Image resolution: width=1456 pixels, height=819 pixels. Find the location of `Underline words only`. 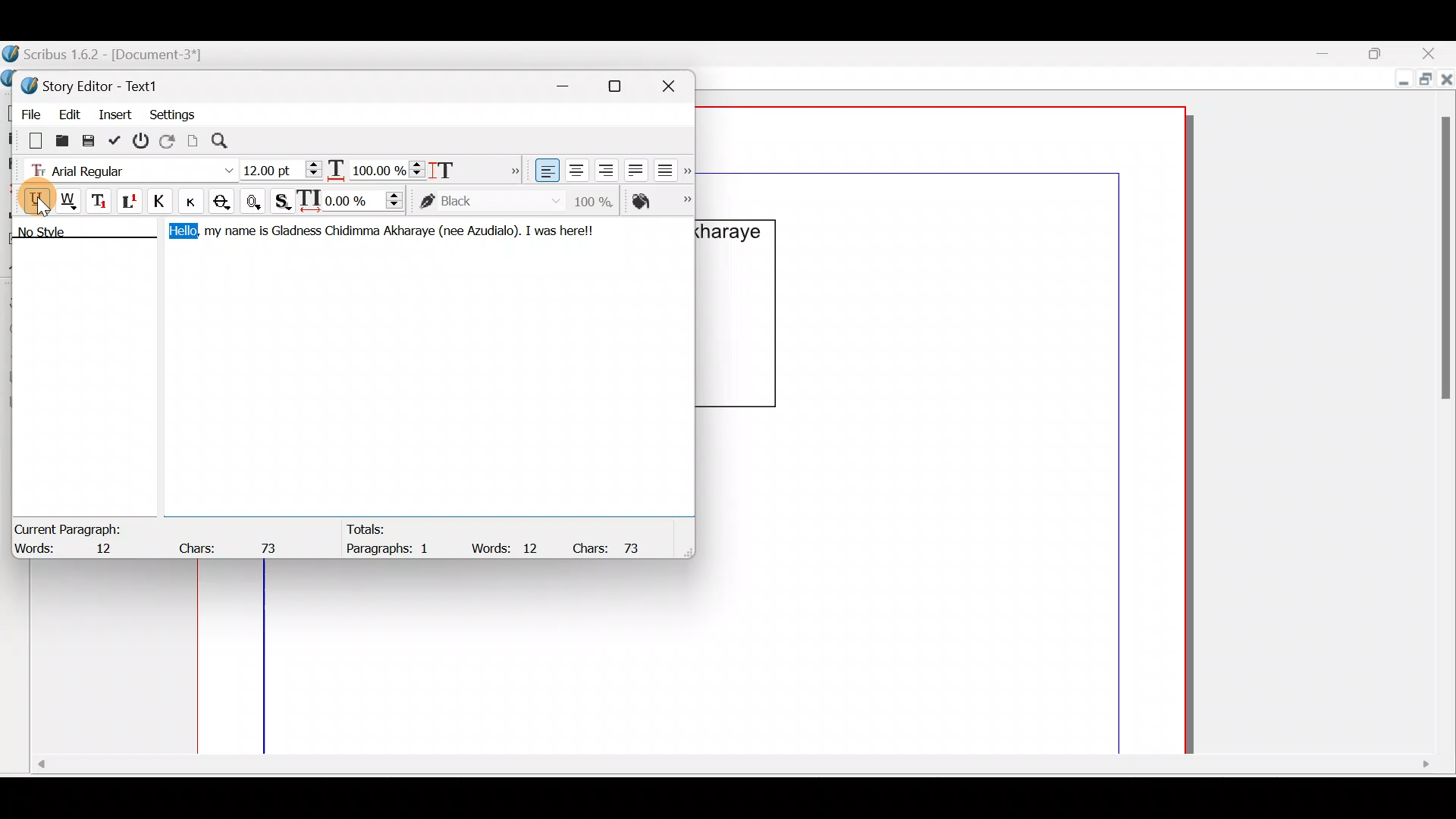

Underline words only is located at coordinates (70, 200).